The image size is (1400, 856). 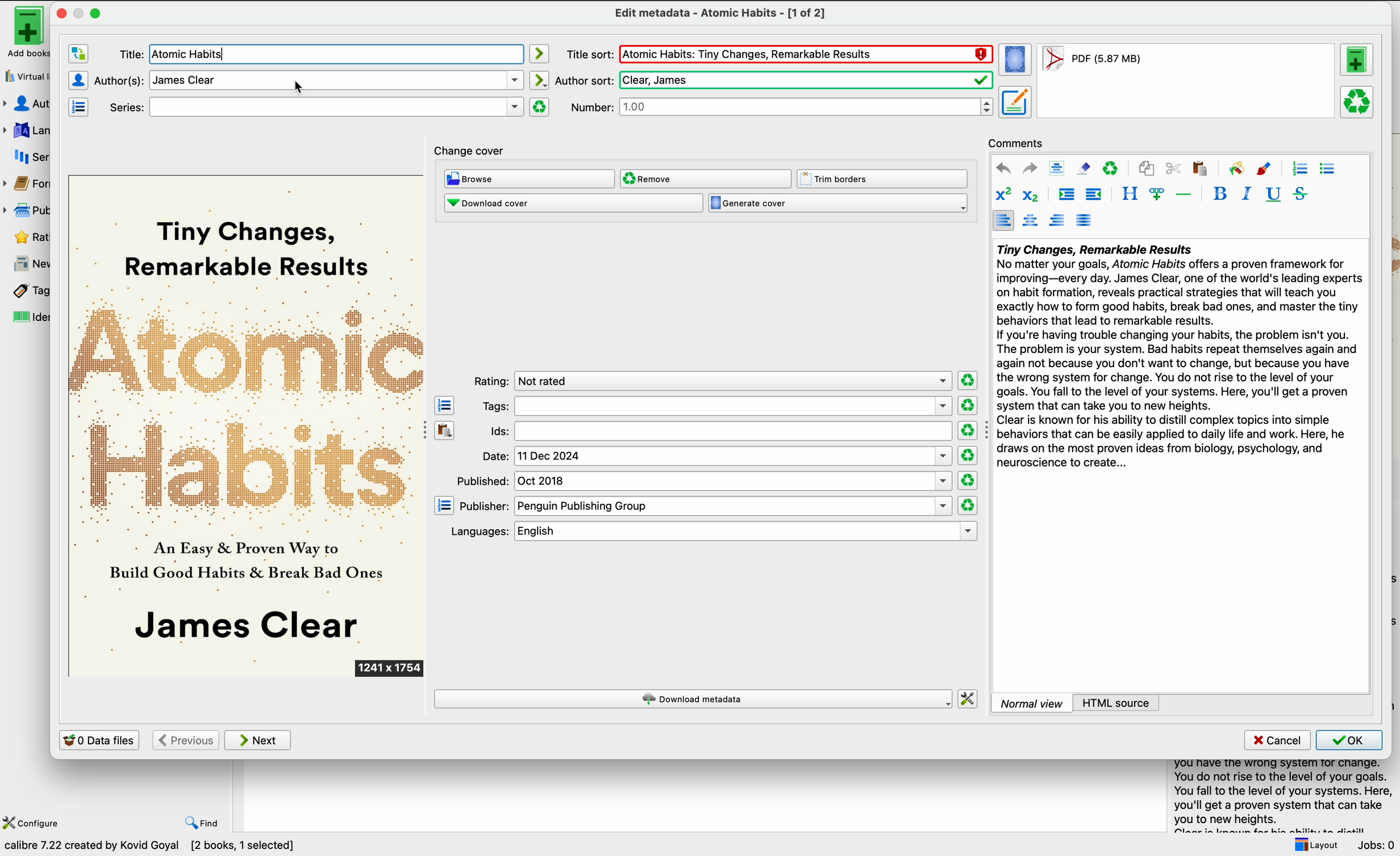 What do you see at coordinates (1301, 194) in the screenshot?
I see `strikeythrough` at bounding box center [1301, 194].